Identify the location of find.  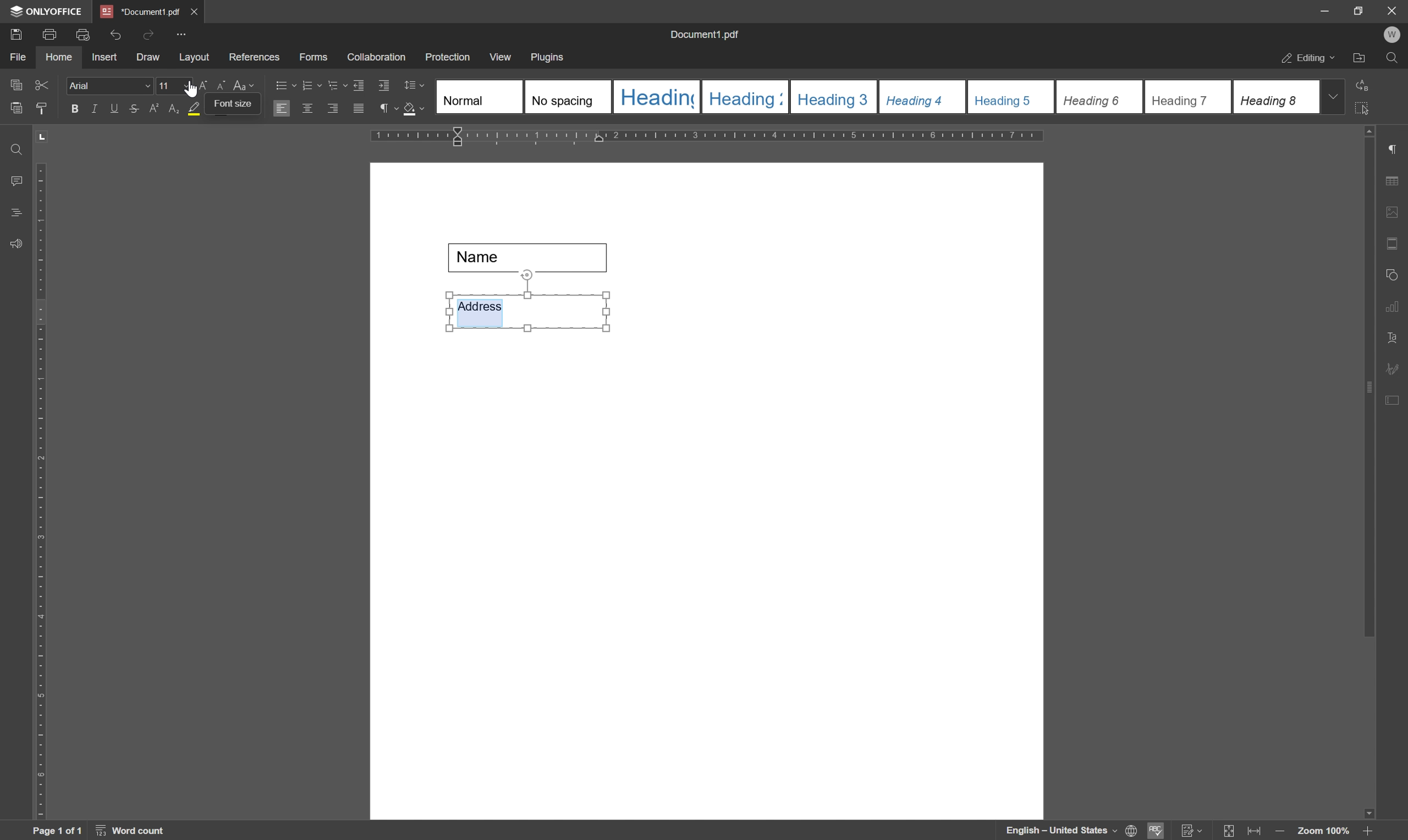
(1395, 61).